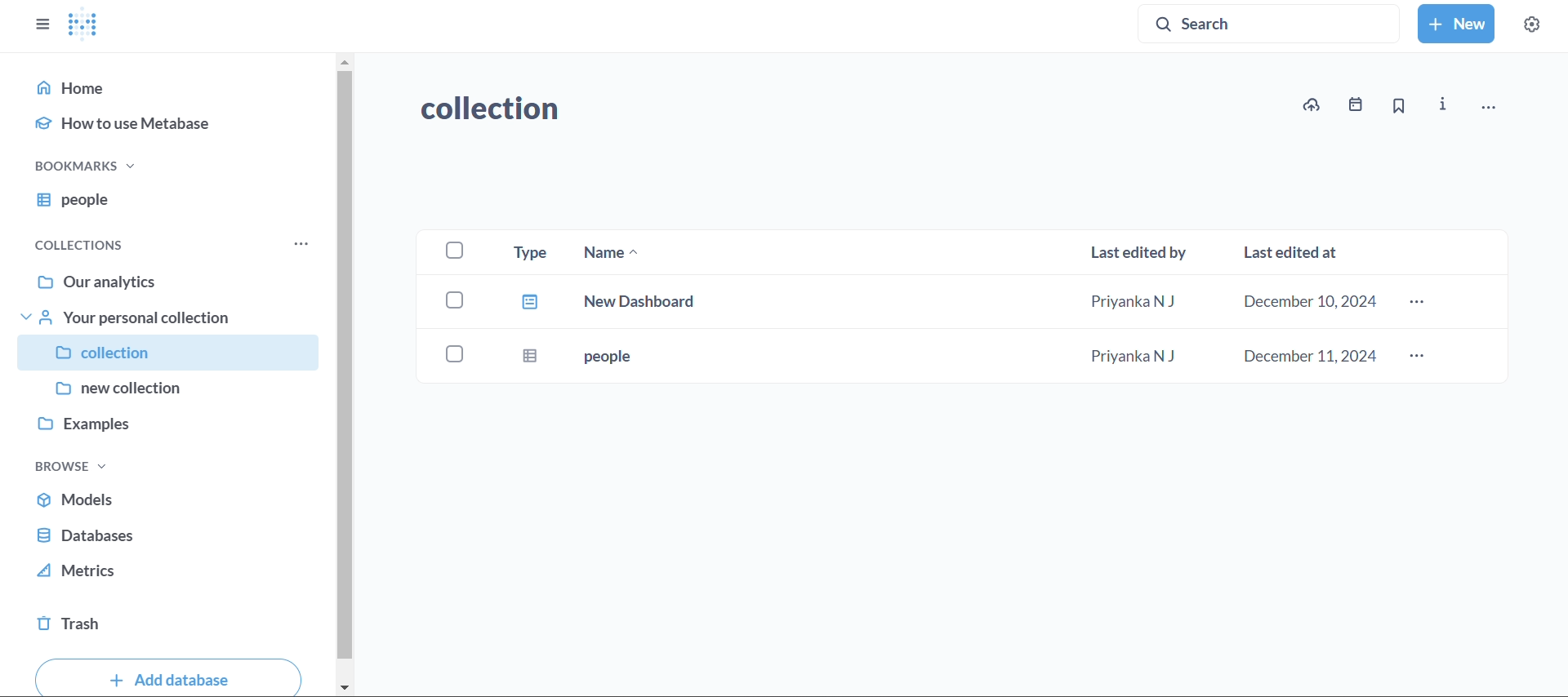  What do you see at coordinates (451, 304) in the screenshot?
I see `checkboxes` at bounding box center [451, 304].